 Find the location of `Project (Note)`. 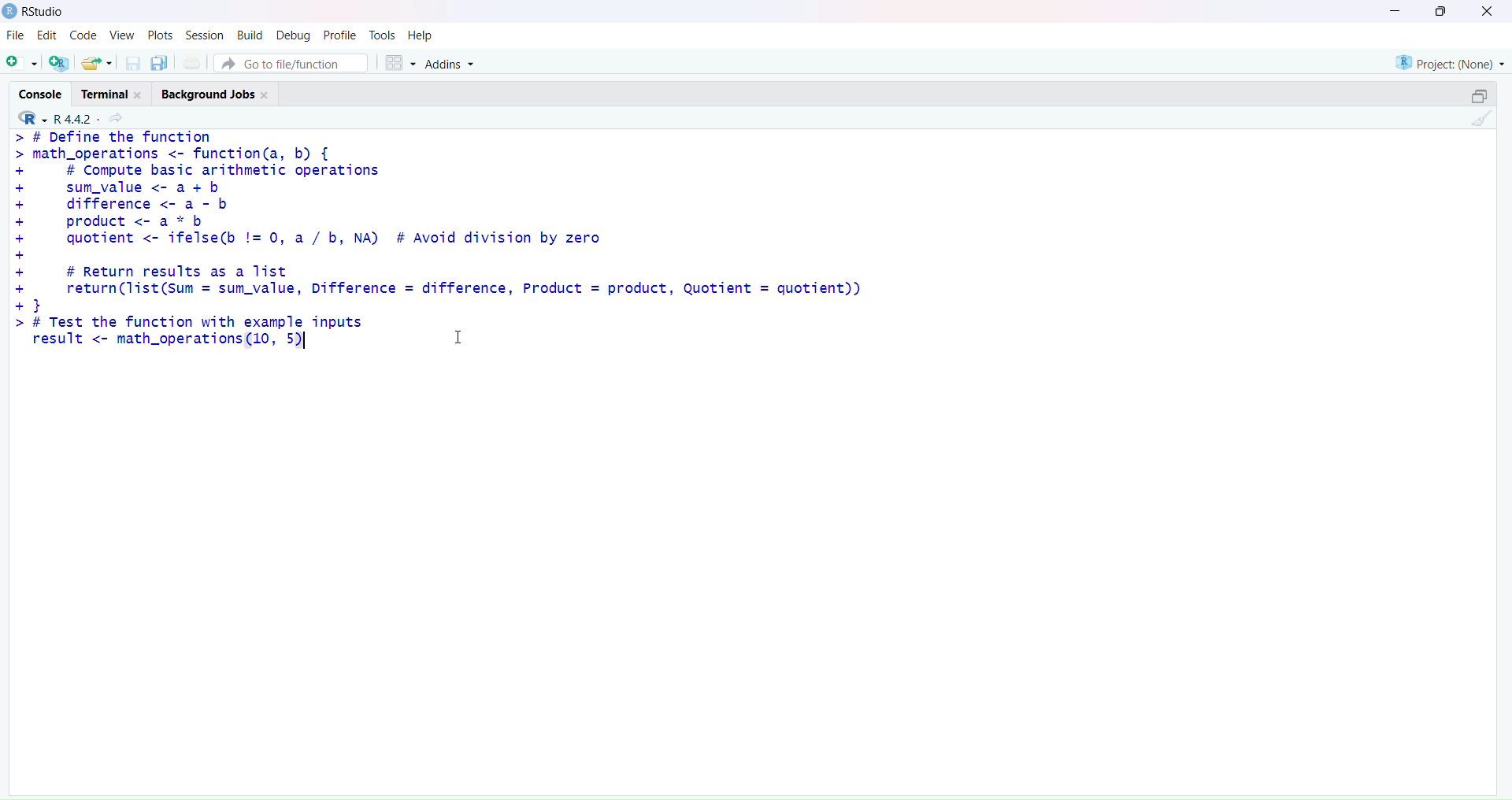

Project (Note) is located at coordinates (1449, 61).